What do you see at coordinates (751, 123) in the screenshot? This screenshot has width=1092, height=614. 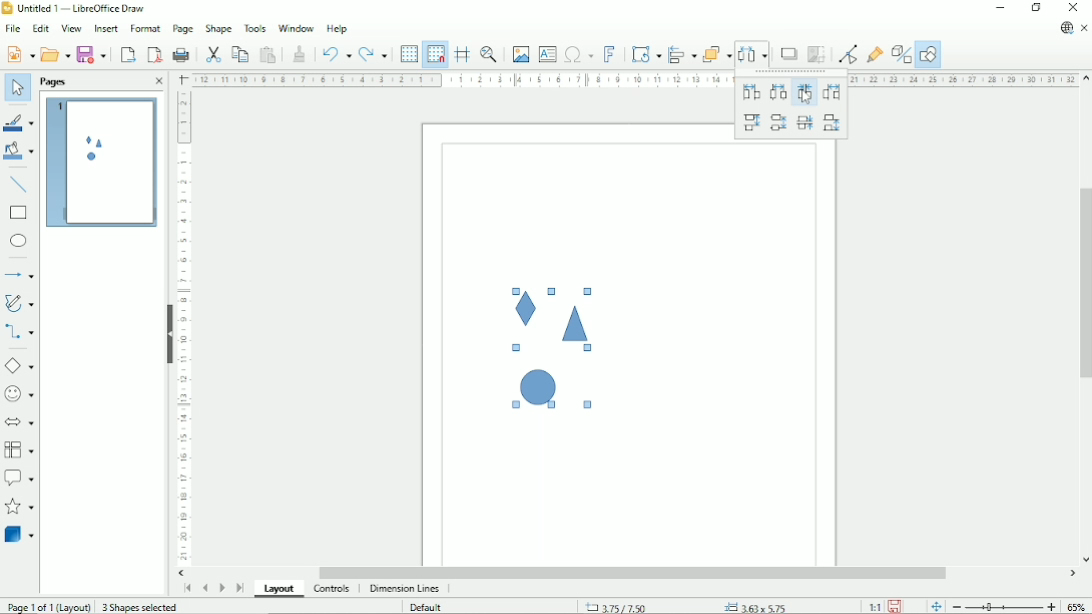 I see `Vertically top` at bounding box center [751, 123].